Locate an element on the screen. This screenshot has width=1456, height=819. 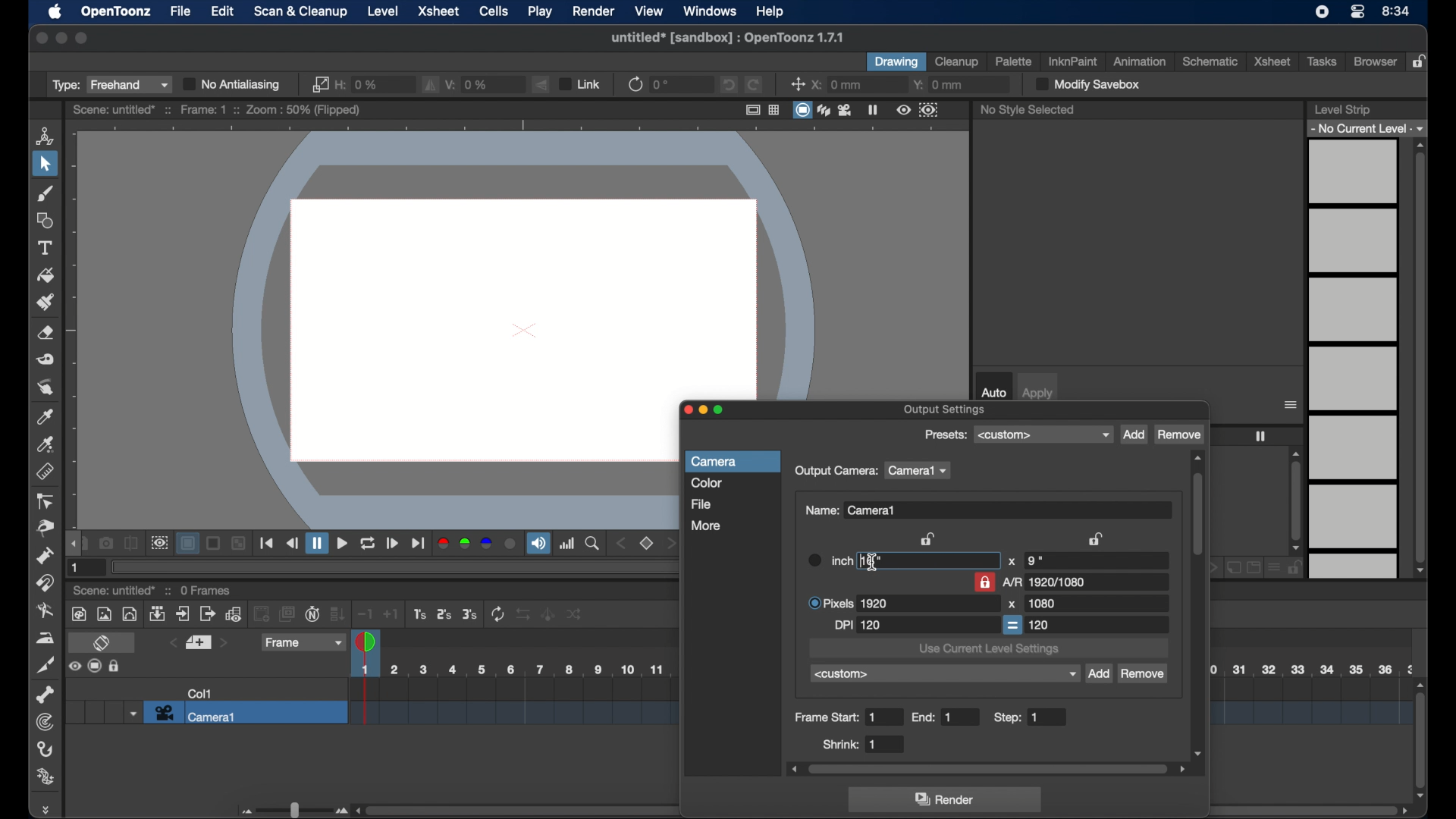
 is located at coordinates (132, 614).